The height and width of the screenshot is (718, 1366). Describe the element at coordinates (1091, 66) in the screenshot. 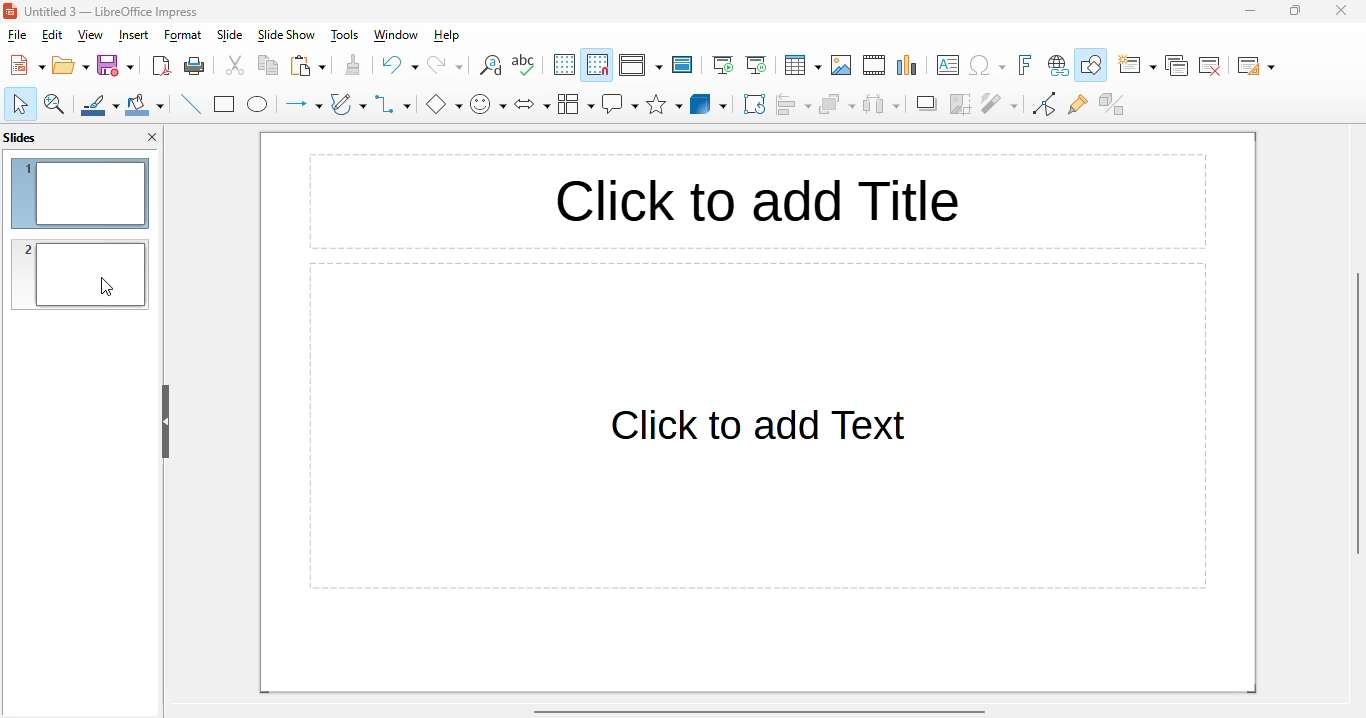

I see `show draw functions` at that location.